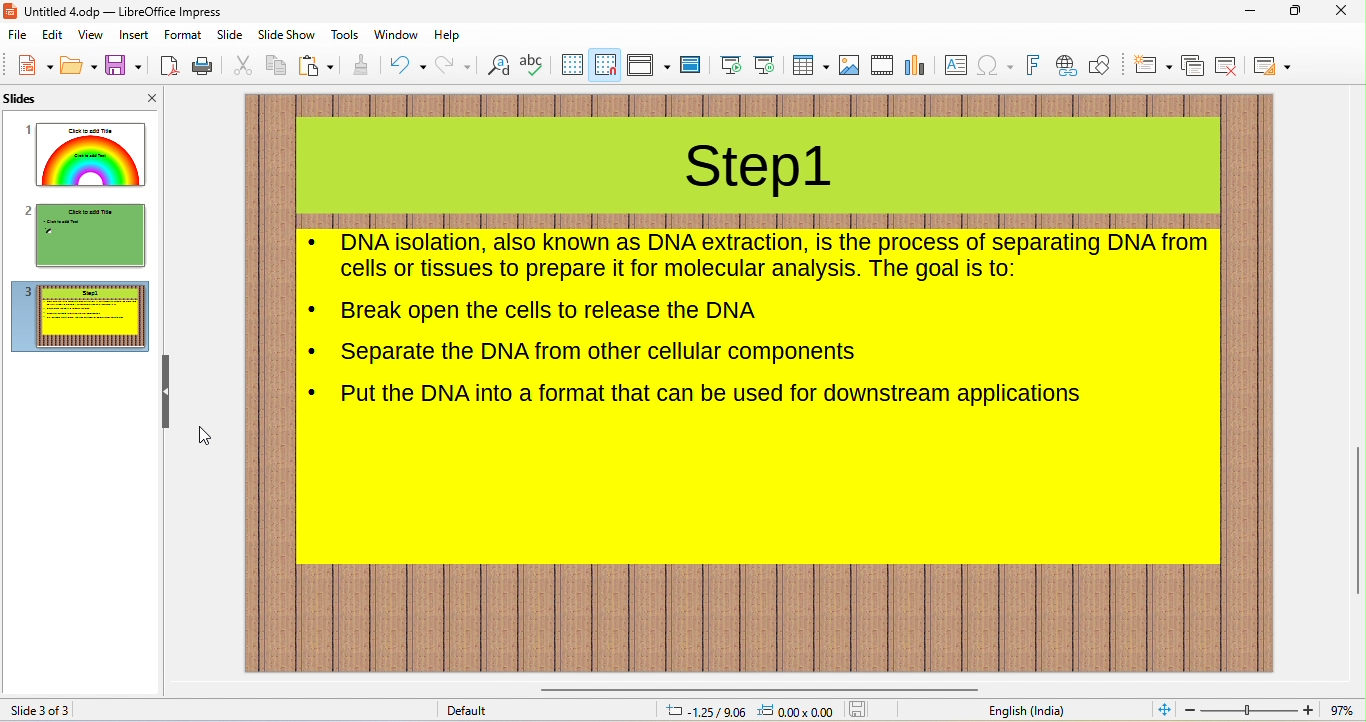 The image size is (1366, 722). I want to click on default, so click(475, 712).